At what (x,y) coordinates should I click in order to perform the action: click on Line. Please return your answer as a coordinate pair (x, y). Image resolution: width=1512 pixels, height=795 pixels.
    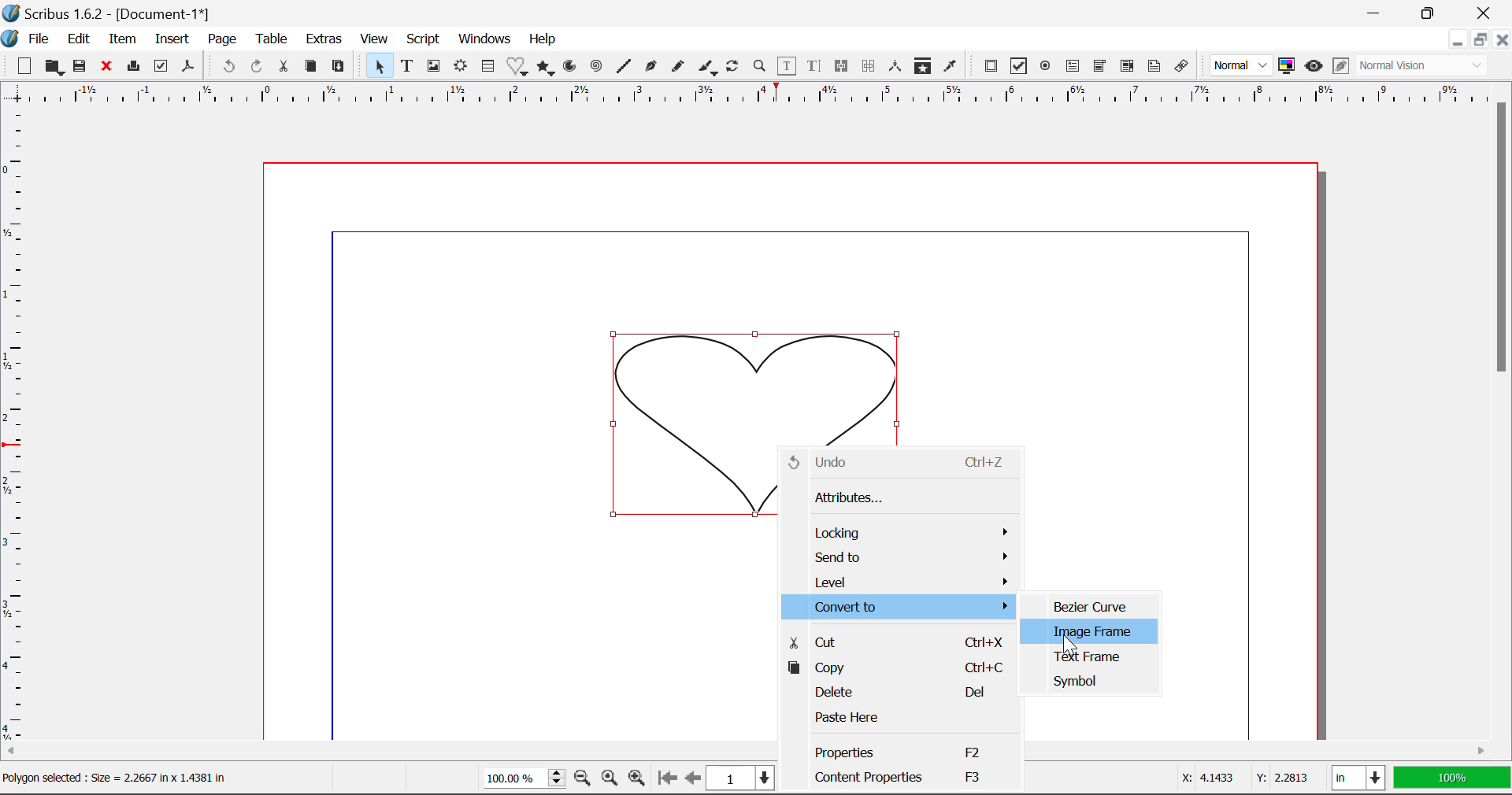
    Looking at the image, I should click on (625, 67).